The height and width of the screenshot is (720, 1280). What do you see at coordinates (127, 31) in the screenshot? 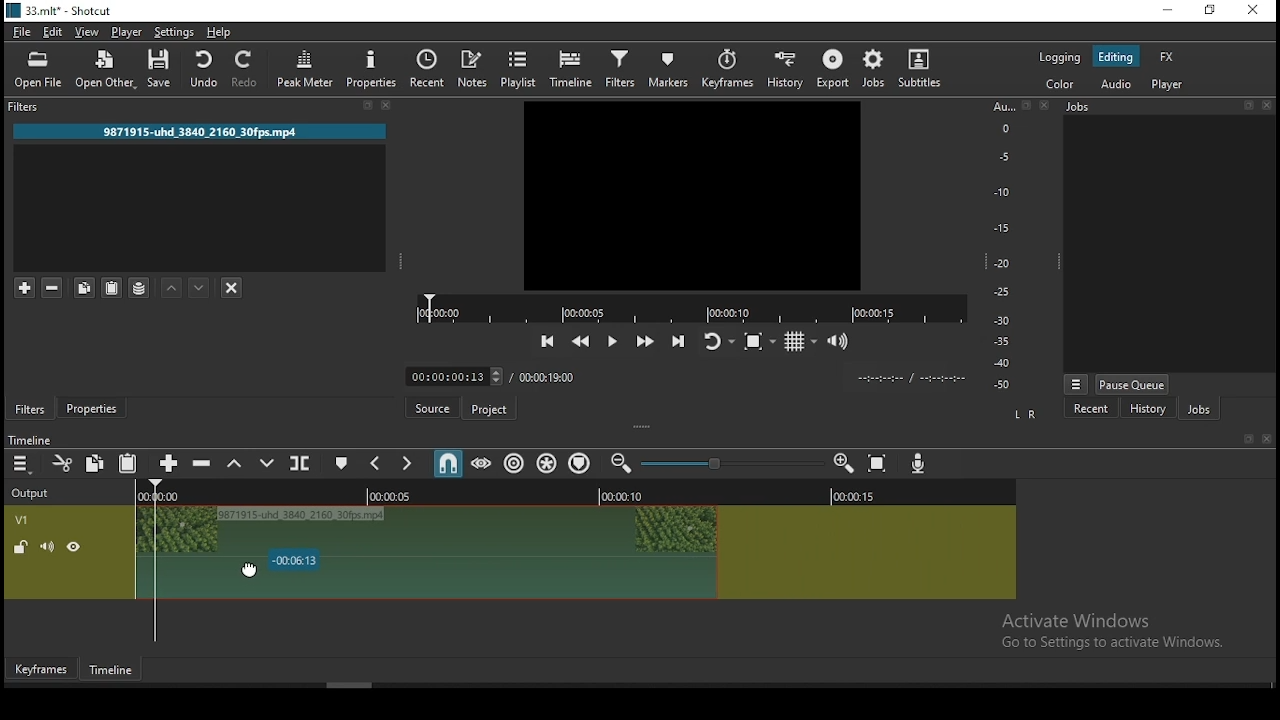
I see `player` at bounding box center [127, 31].